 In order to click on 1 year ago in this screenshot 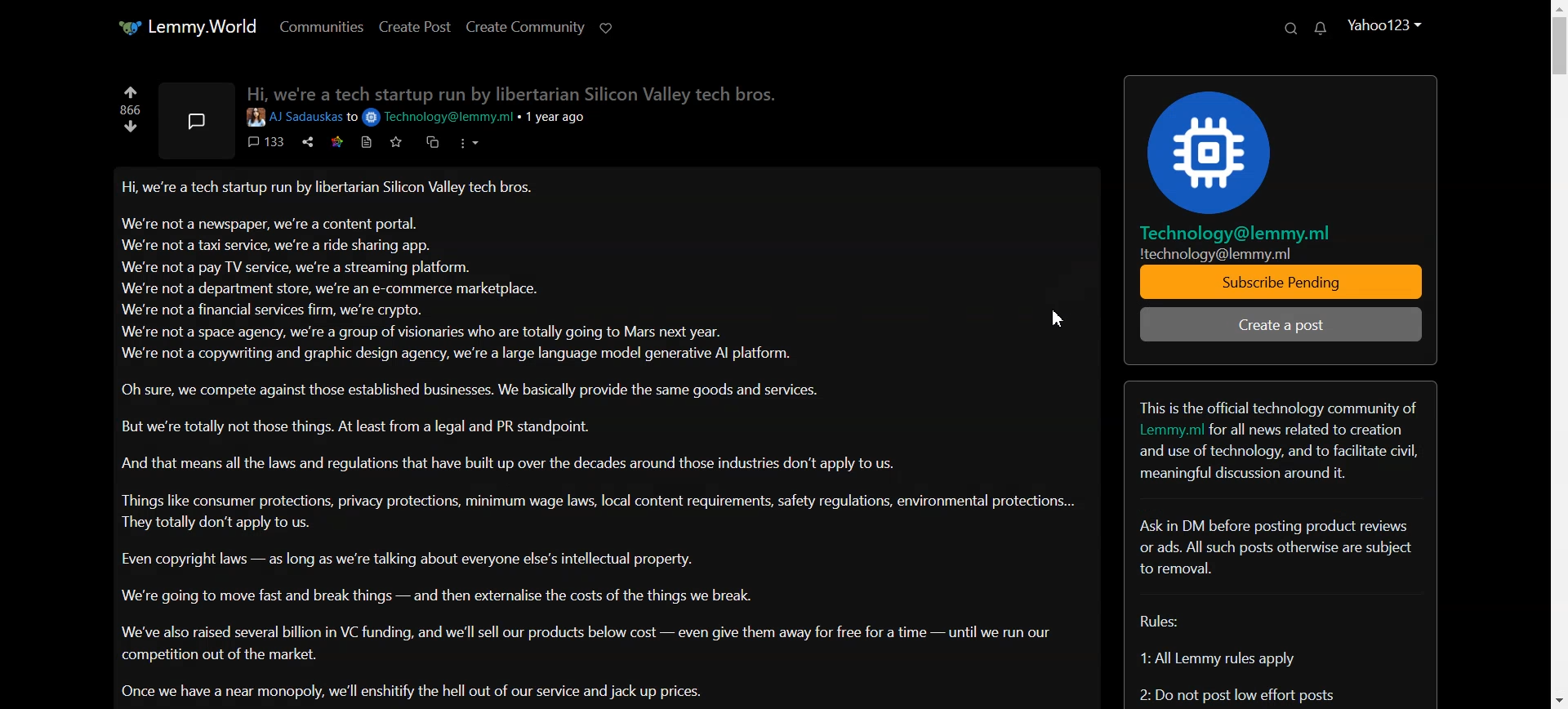, I will do `click(562, 118)`.